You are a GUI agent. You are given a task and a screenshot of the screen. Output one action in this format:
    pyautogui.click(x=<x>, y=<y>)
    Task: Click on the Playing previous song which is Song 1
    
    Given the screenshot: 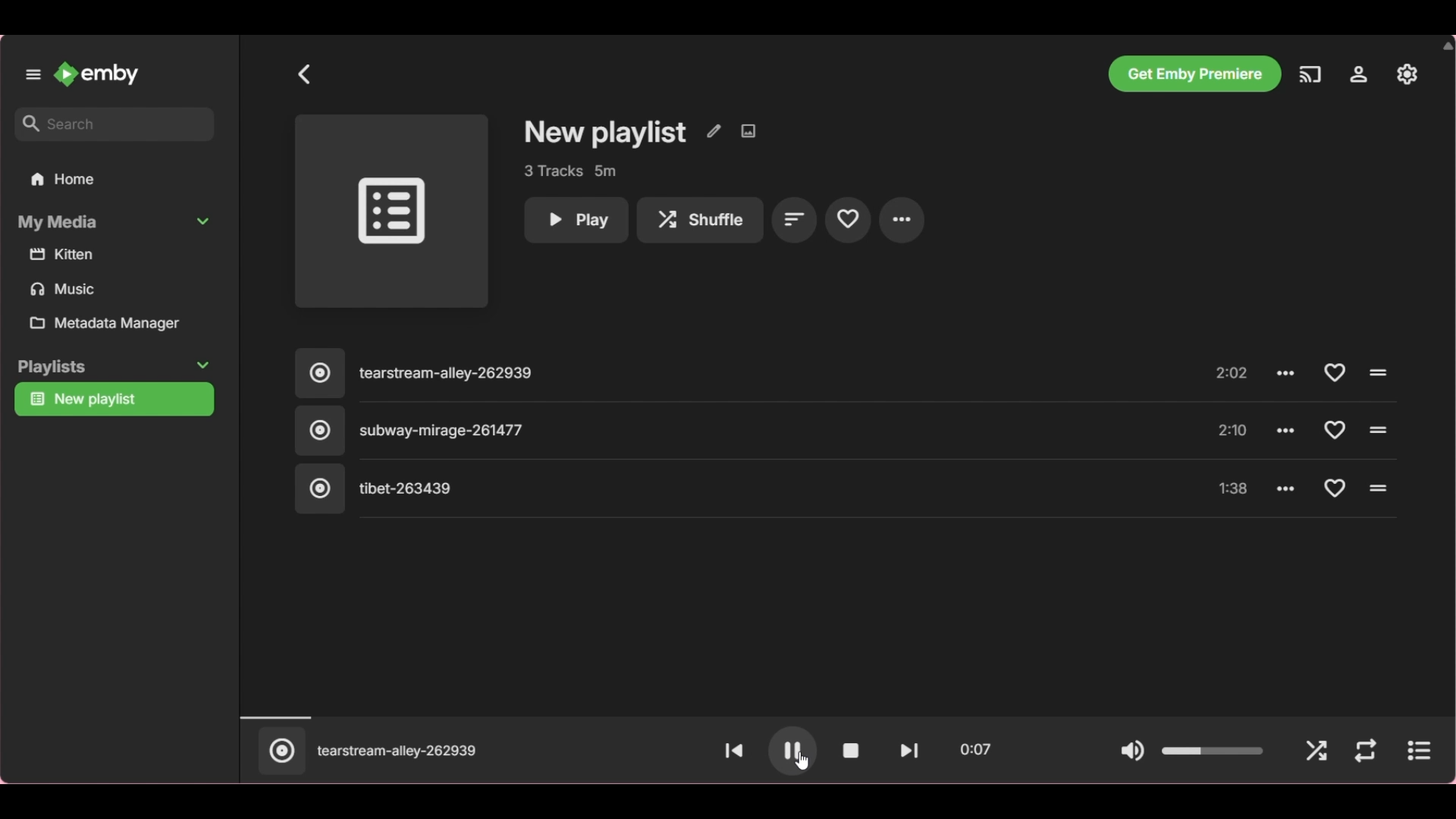 What is the action you would take?
    pyautogui.click(x=397, y=751)
    